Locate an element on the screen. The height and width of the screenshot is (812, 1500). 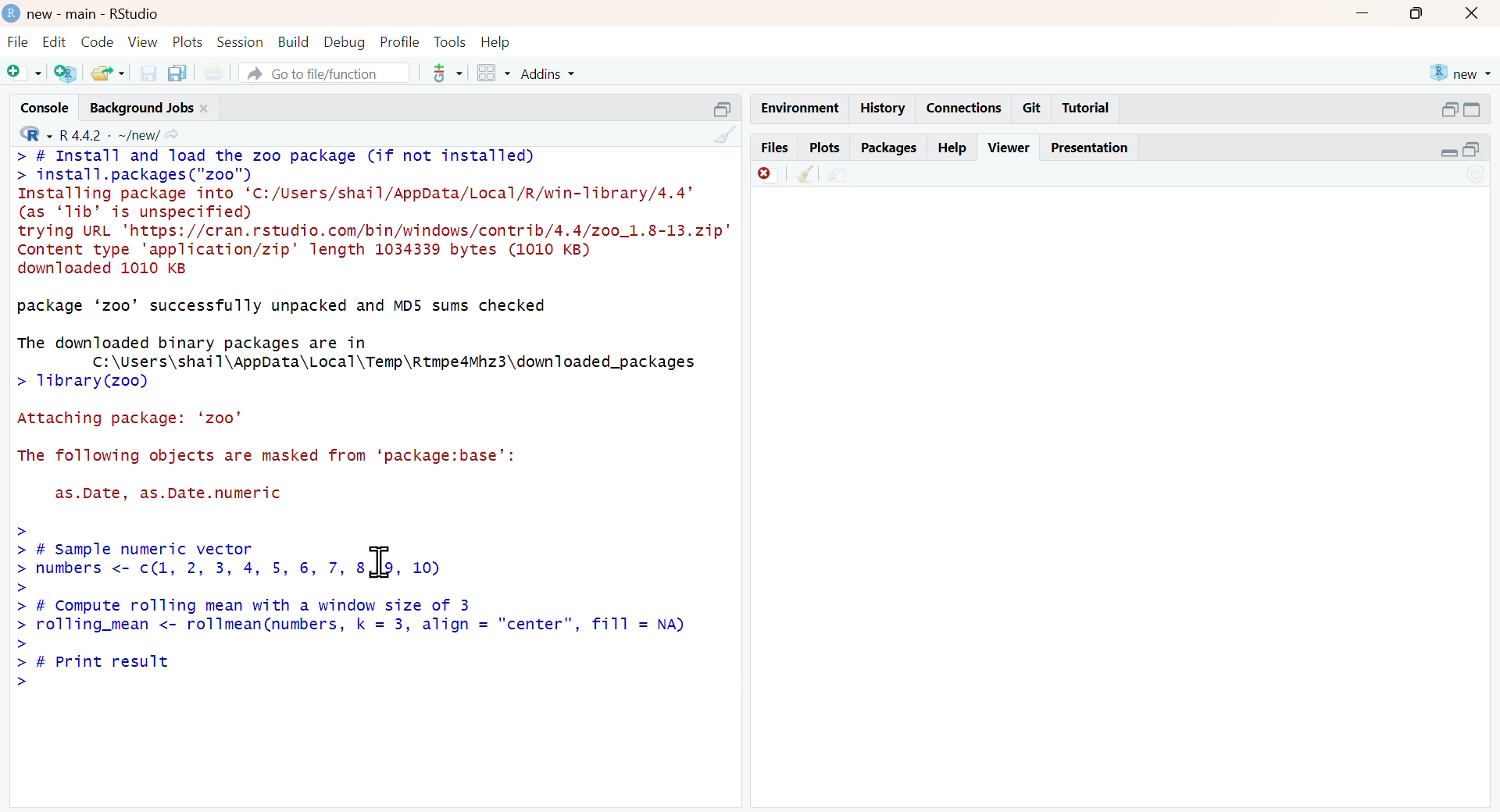
Collapse/expand  is located at coordinates (1448, 152).